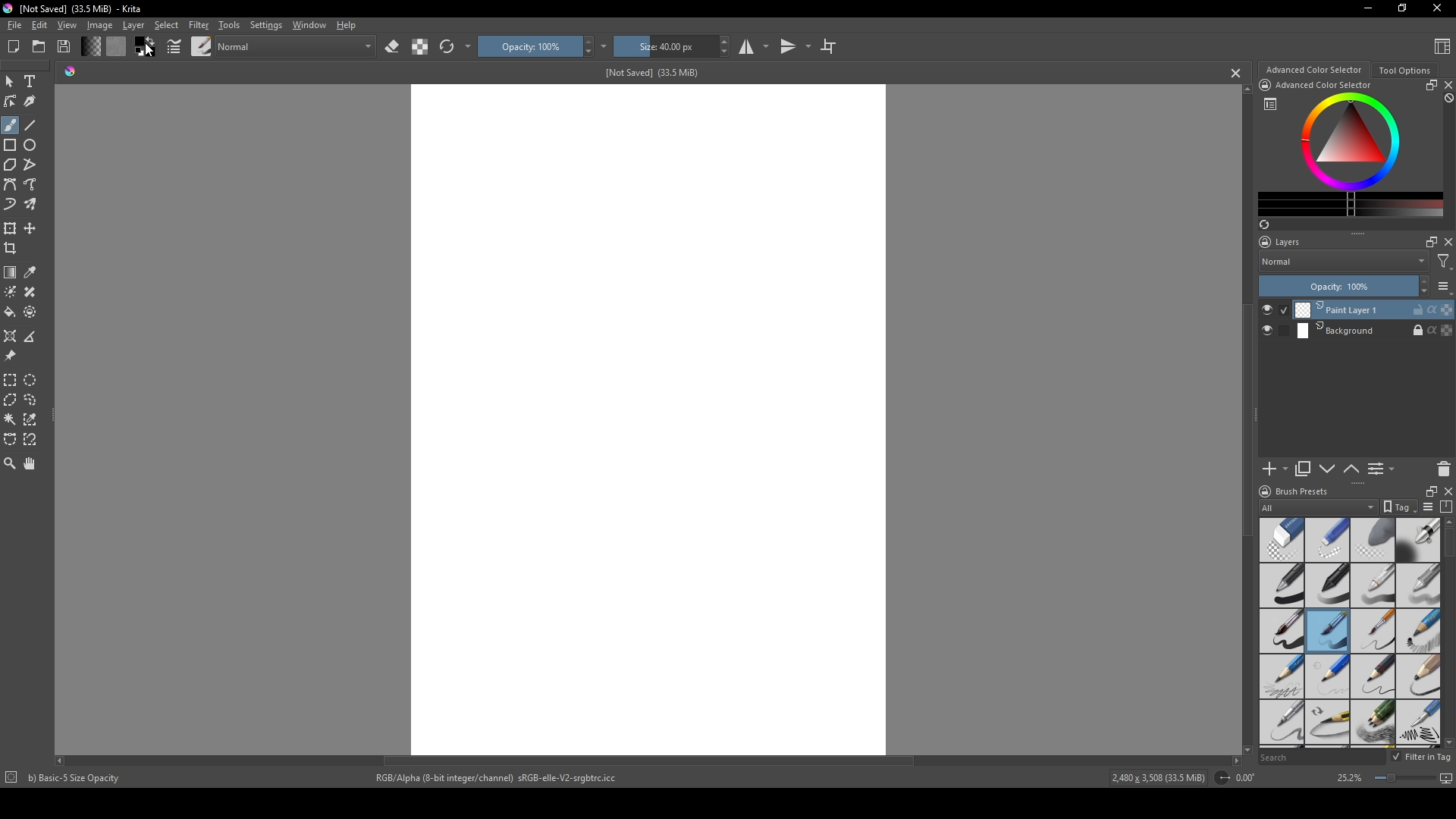 The image size is (1456, 819). What do you see at coordinates (90, 46) in the screenshot?
I see `change shade` at bounding box center [90, 46].